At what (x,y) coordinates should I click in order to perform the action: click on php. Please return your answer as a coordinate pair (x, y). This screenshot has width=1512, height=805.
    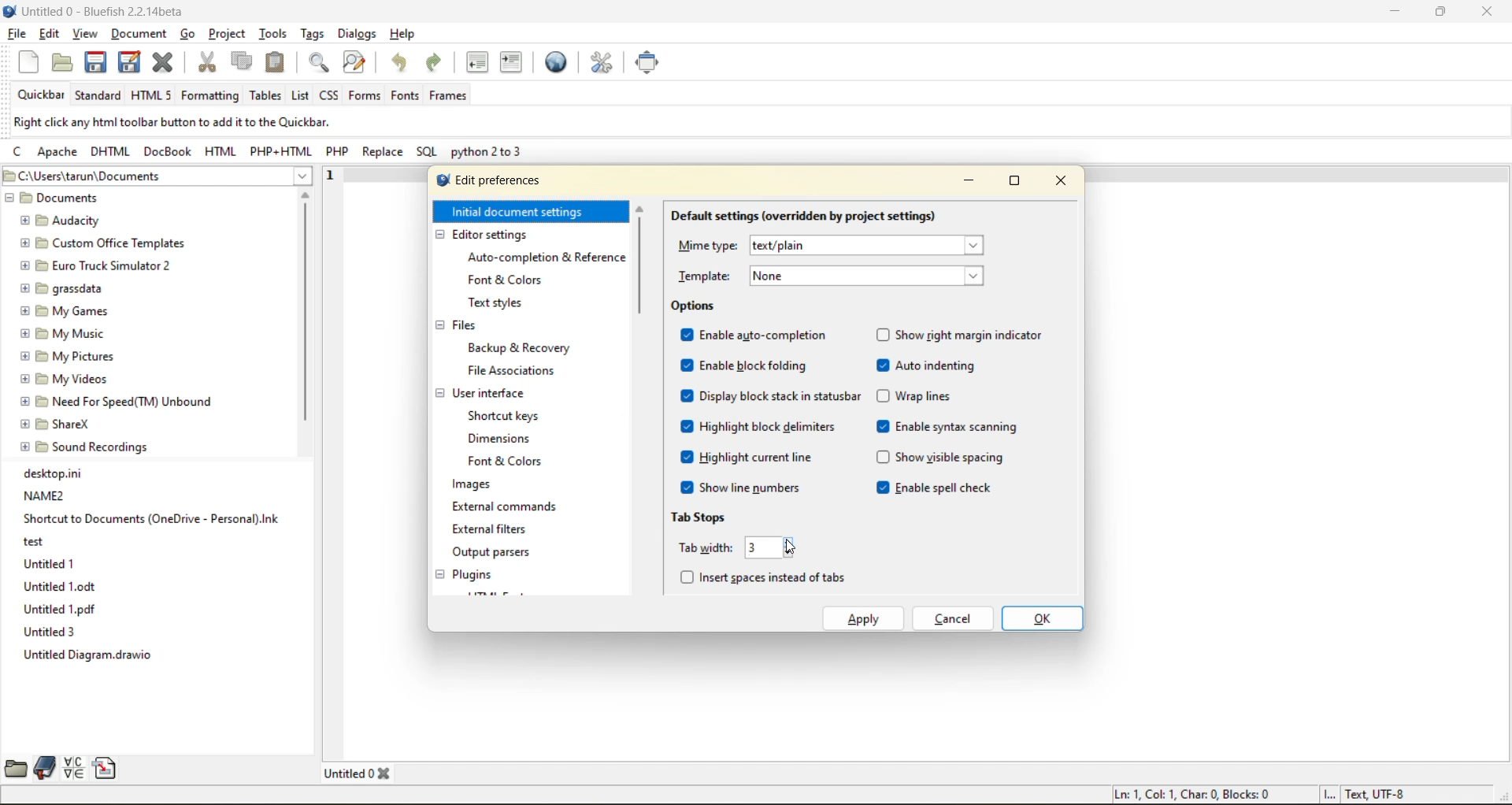
    Looking at the image, I should click on (338, 153).